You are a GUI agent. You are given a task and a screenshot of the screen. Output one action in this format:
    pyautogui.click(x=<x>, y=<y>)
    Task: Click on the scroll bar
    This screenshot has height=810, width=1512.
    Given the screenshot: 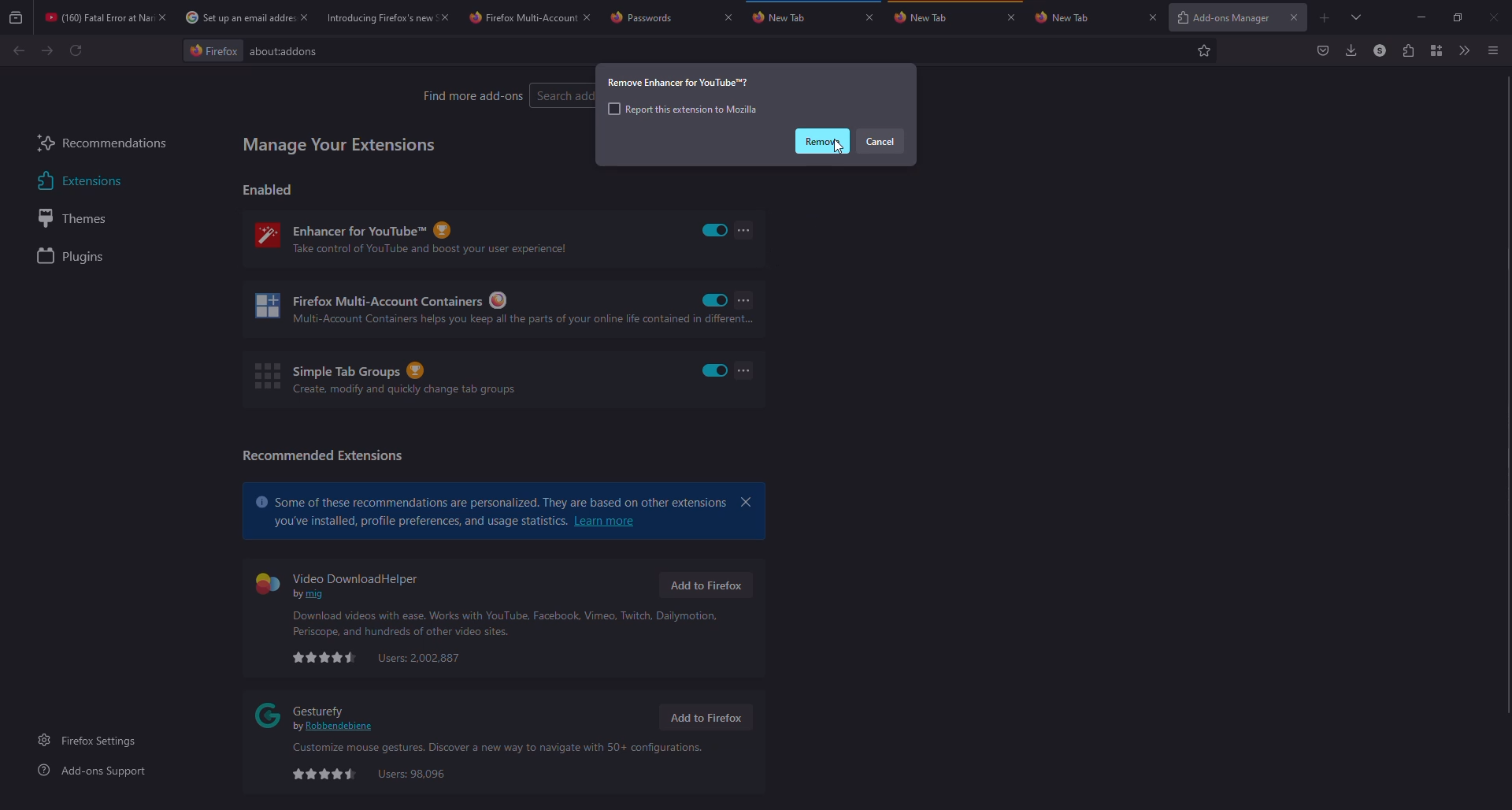 What is the action you would take?
    pyautogui.click(x=1510, y=394)
    